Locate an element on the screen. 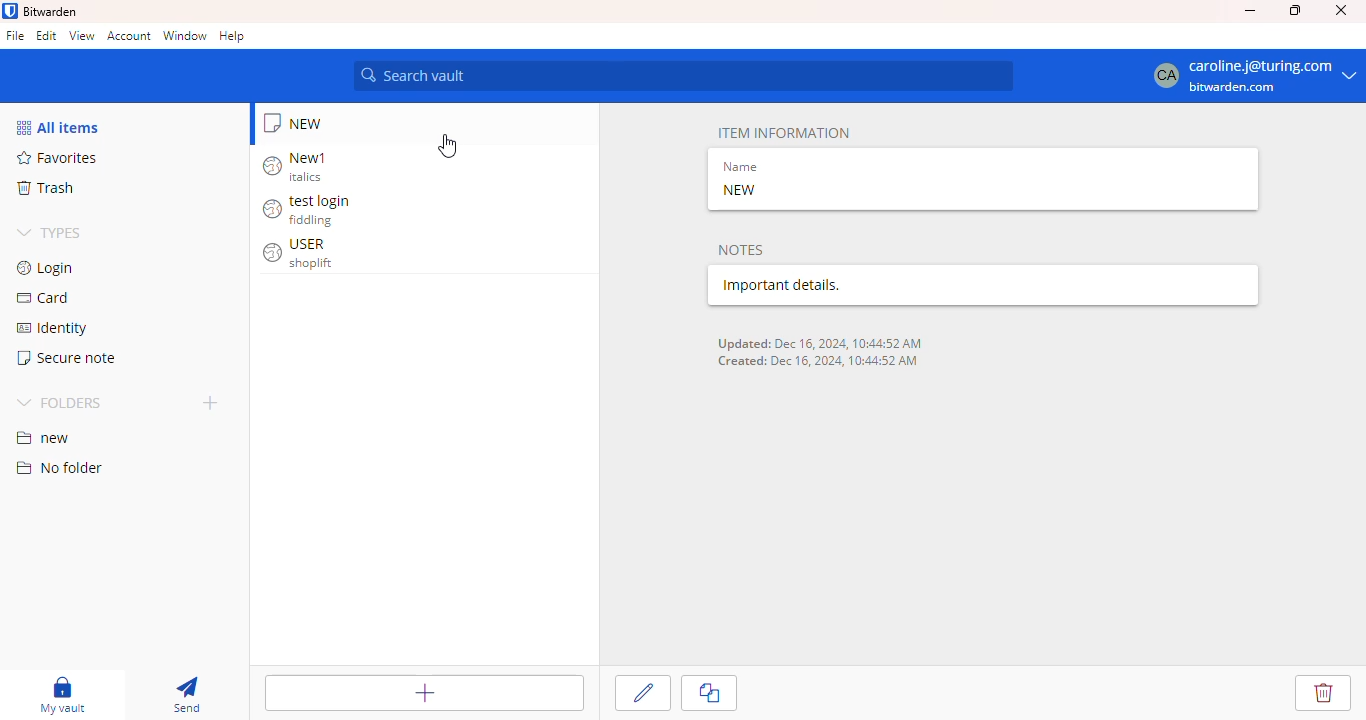  search is located at coordinates (682, 76).